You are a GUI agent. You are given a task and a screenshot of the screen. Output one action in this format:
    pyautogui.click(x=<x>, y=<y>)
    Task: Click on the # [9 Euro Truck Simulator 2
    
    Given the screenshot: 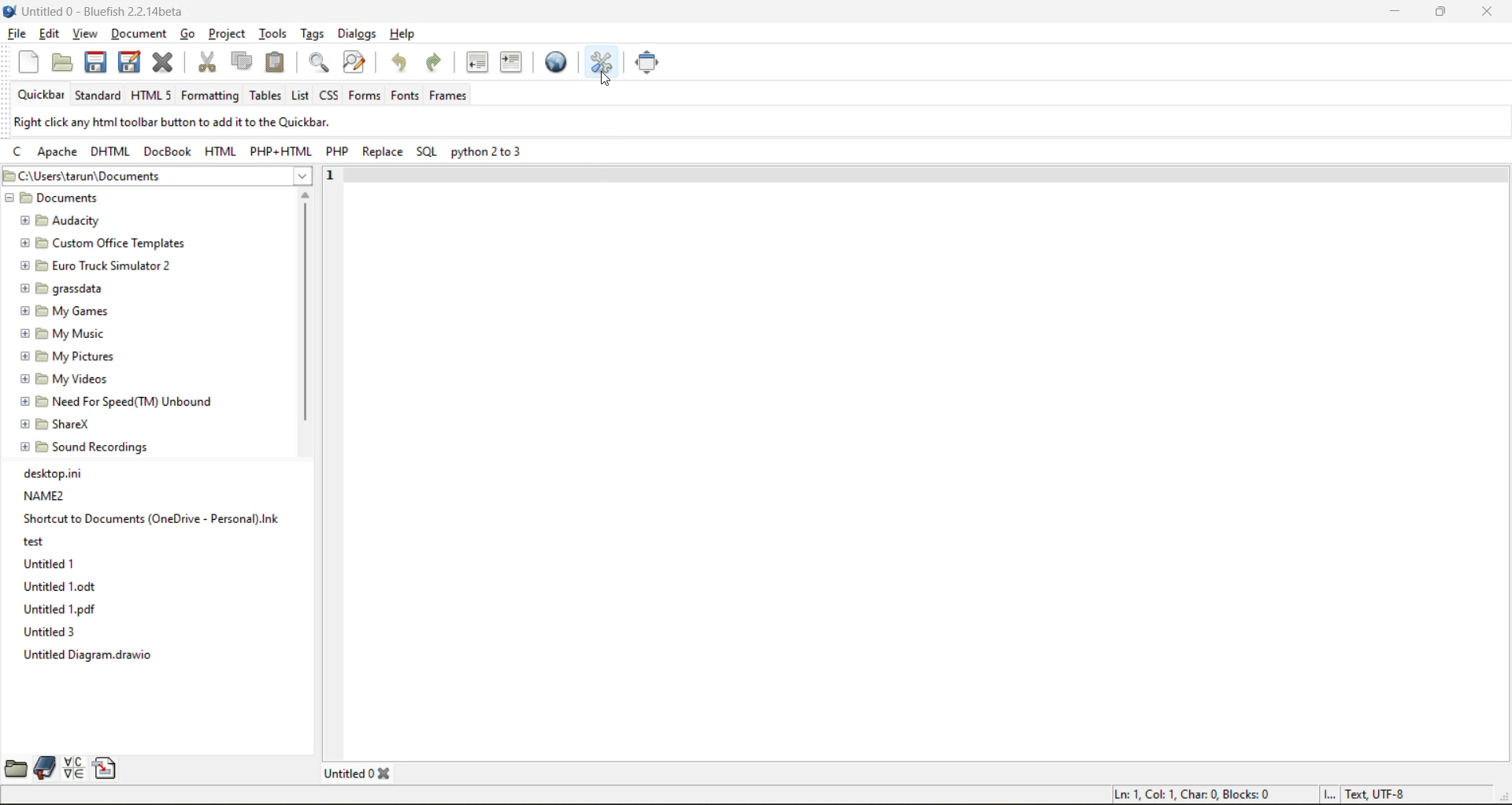 What is the action you would take?
    pyautogui.click(x=93, y=265)
    